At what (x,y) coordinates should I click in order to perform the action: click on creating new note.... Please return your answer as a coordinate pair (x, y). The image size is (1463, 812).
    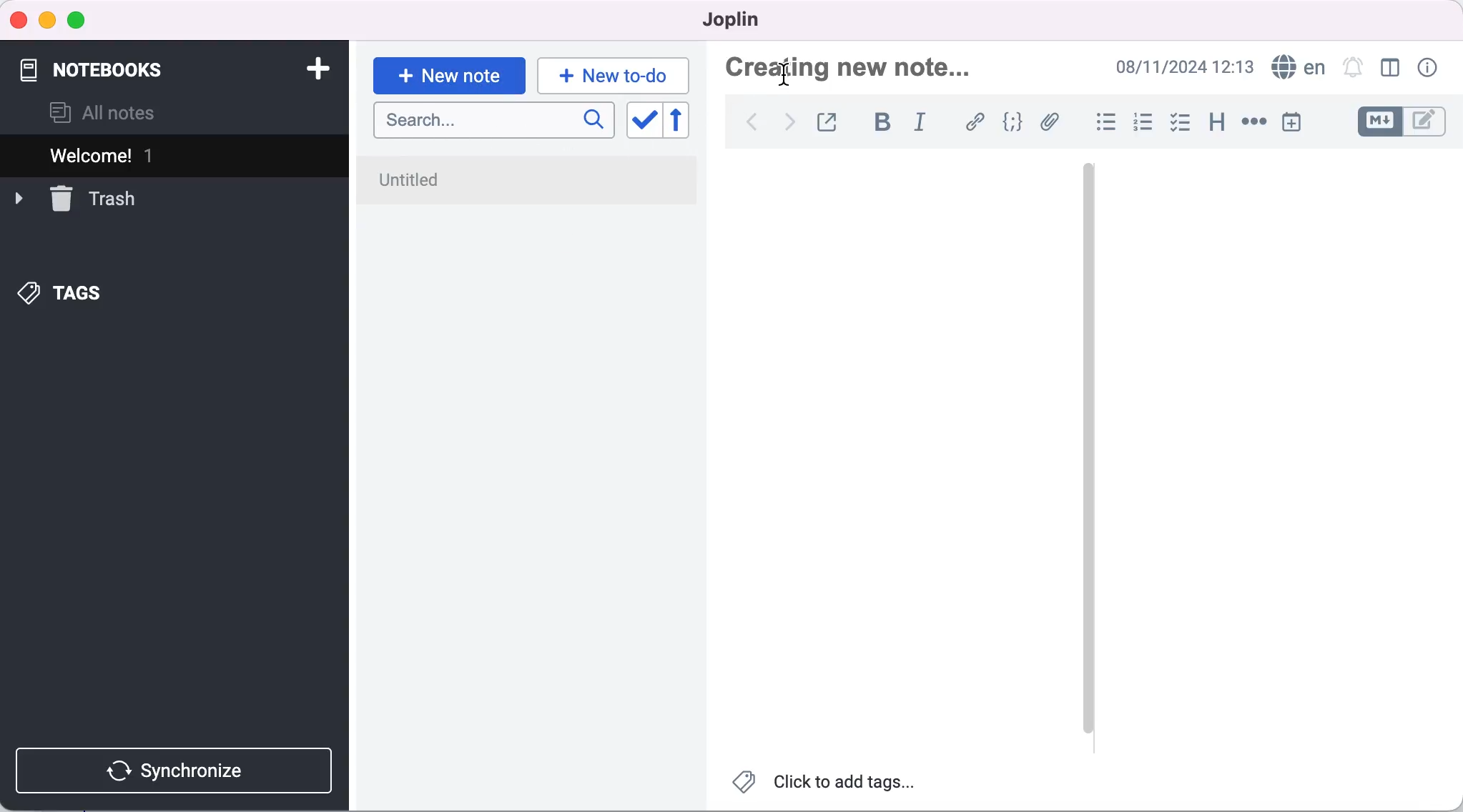
    Looking at the image, I should click on (855, 69).